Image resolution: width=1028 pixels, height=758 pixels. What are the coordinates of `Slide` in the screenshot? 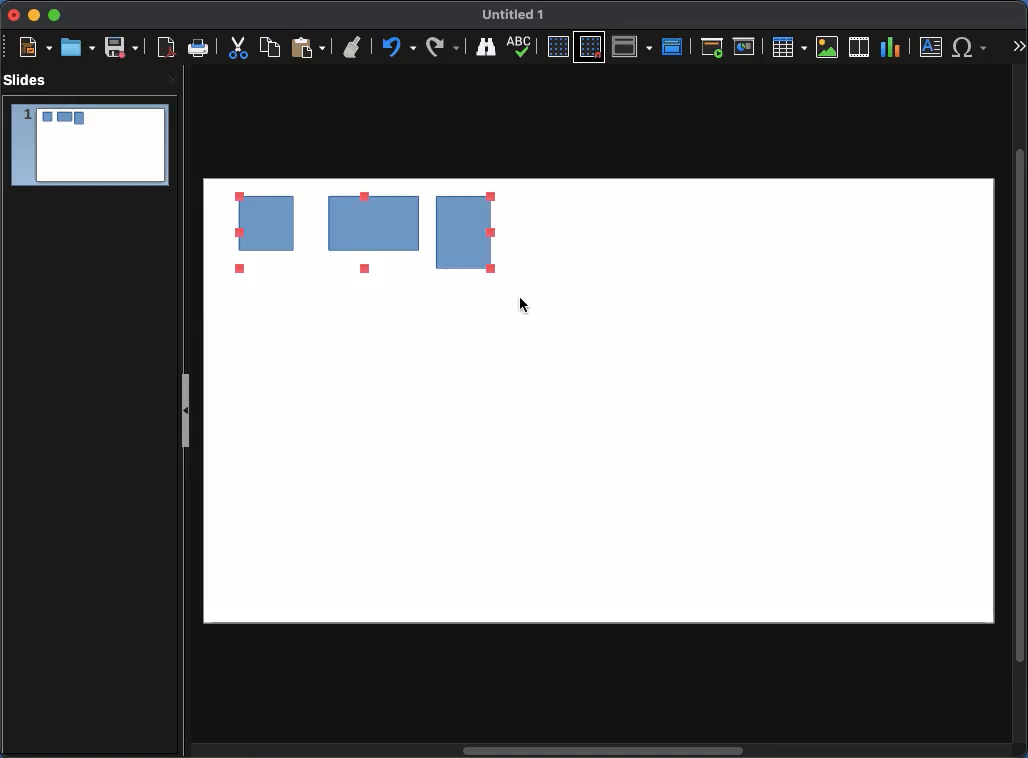 It's located at (89, 145).